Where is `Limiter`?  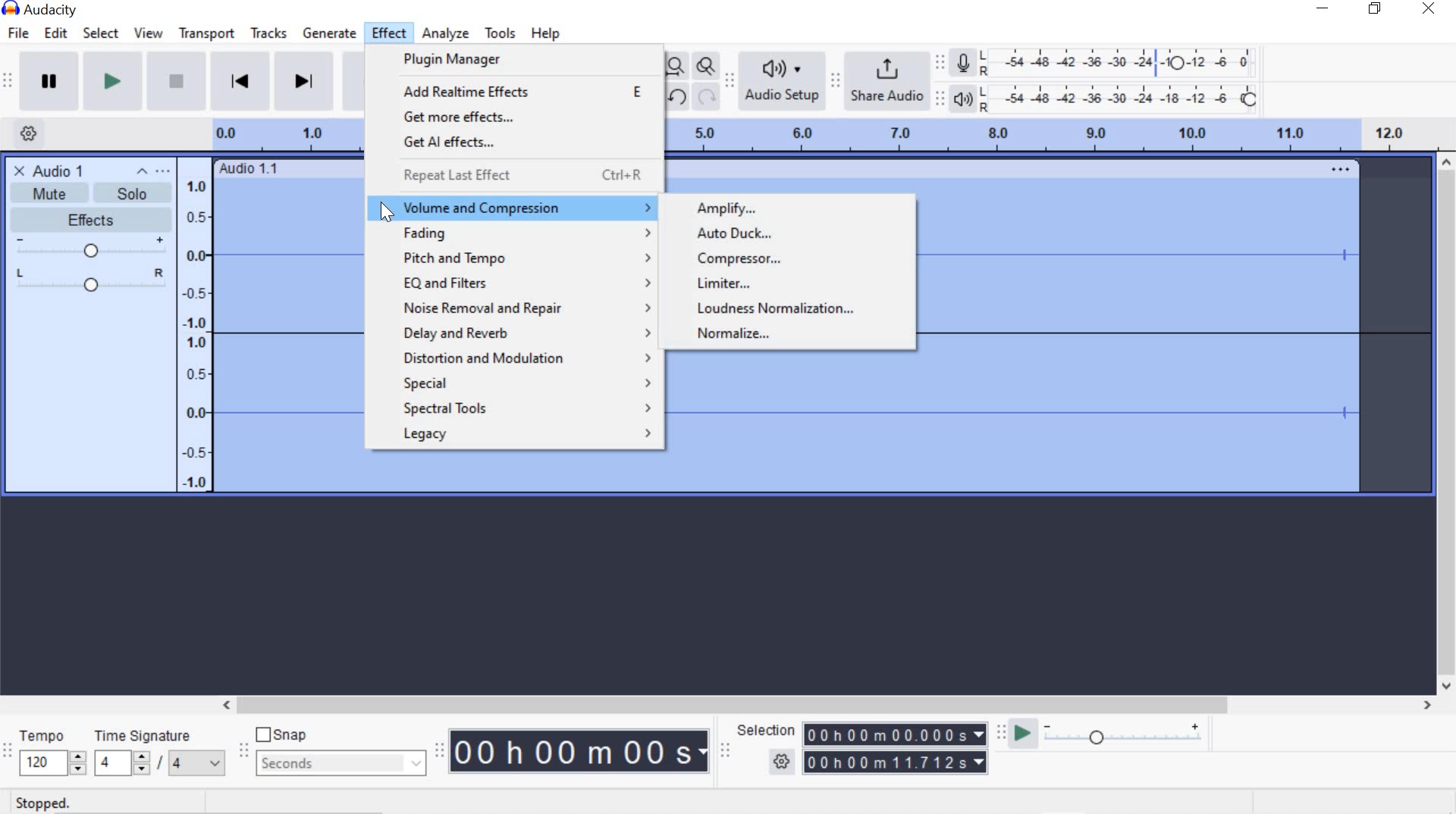 Limiter is located at coordinates (762, 283).